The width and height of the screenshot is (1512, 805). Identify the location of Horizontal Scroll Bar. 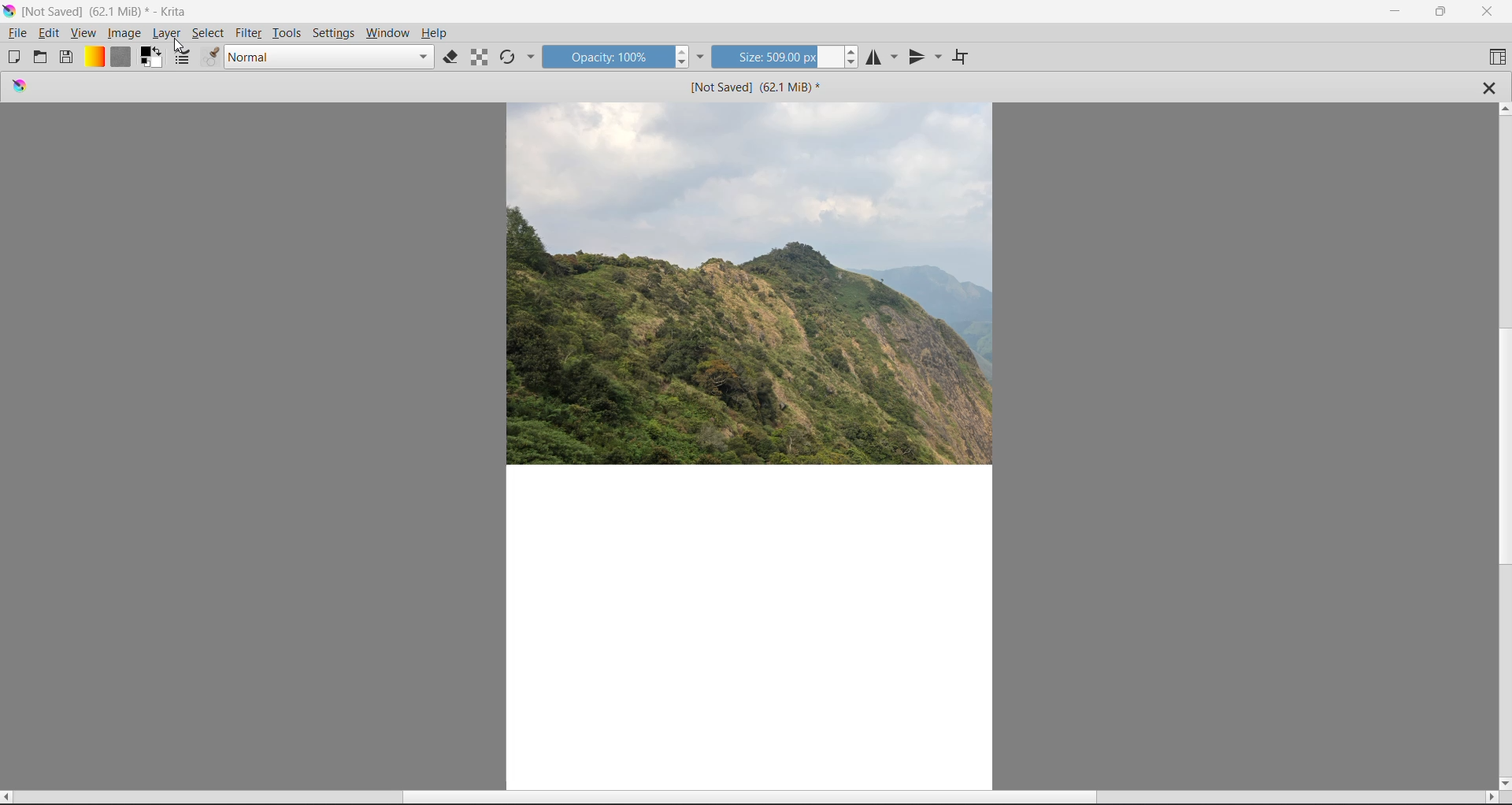
(750, 798).